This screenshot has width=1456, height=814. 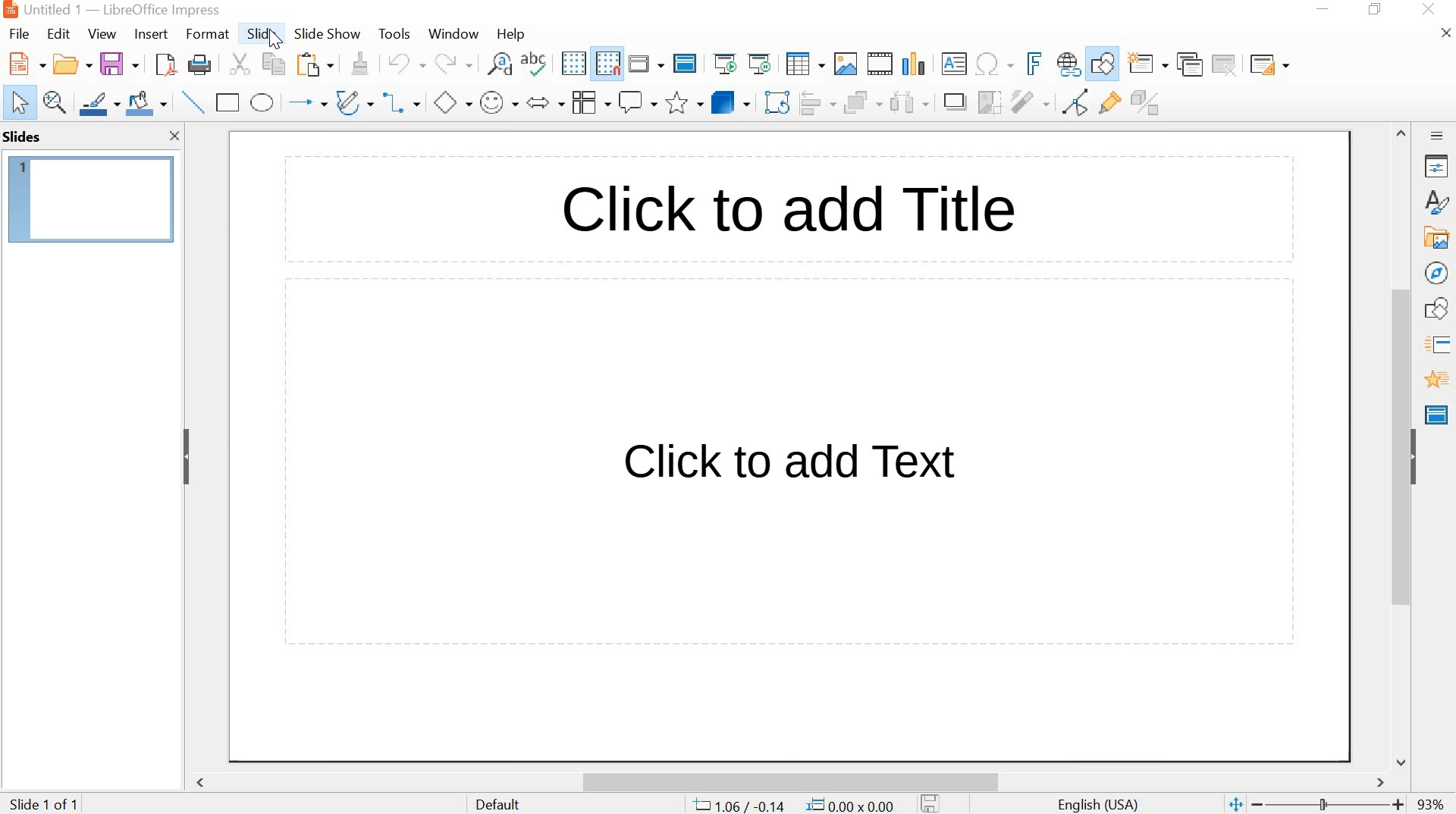 I want to click on SAVE AS PDF, so click(x=165, y=64).